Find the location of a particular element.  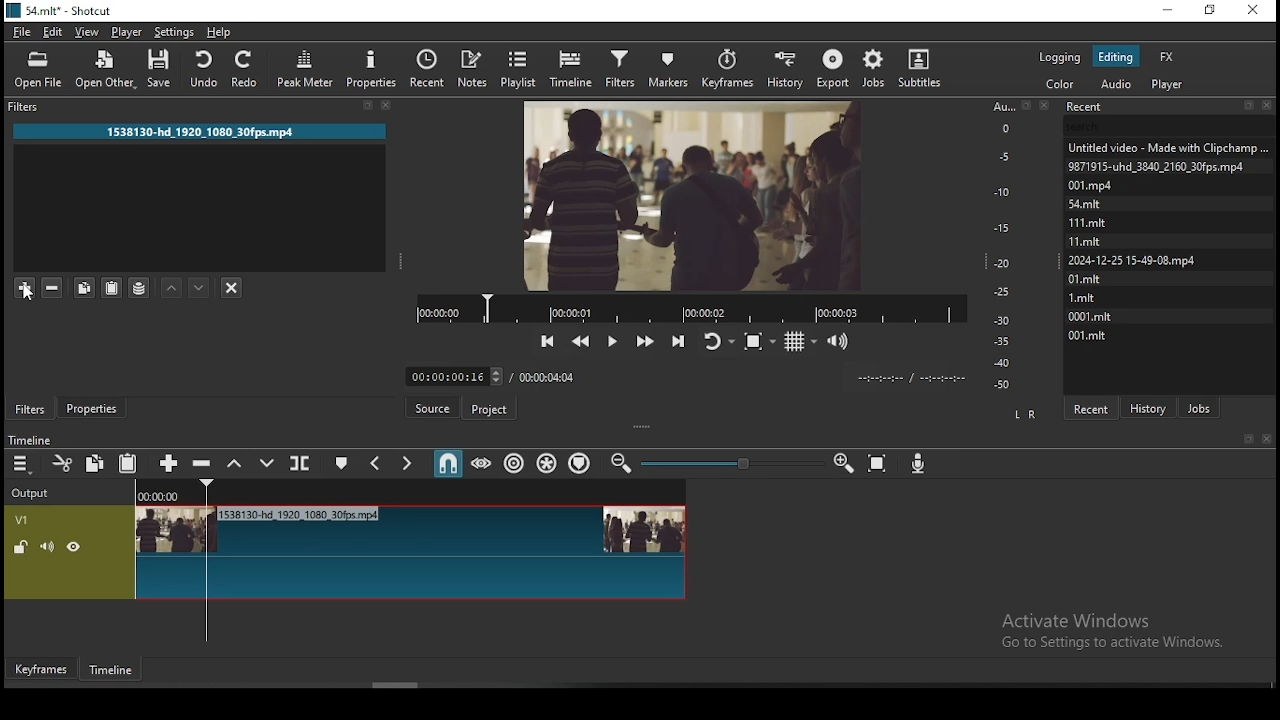

Filter is located at coordinates (207, 107).